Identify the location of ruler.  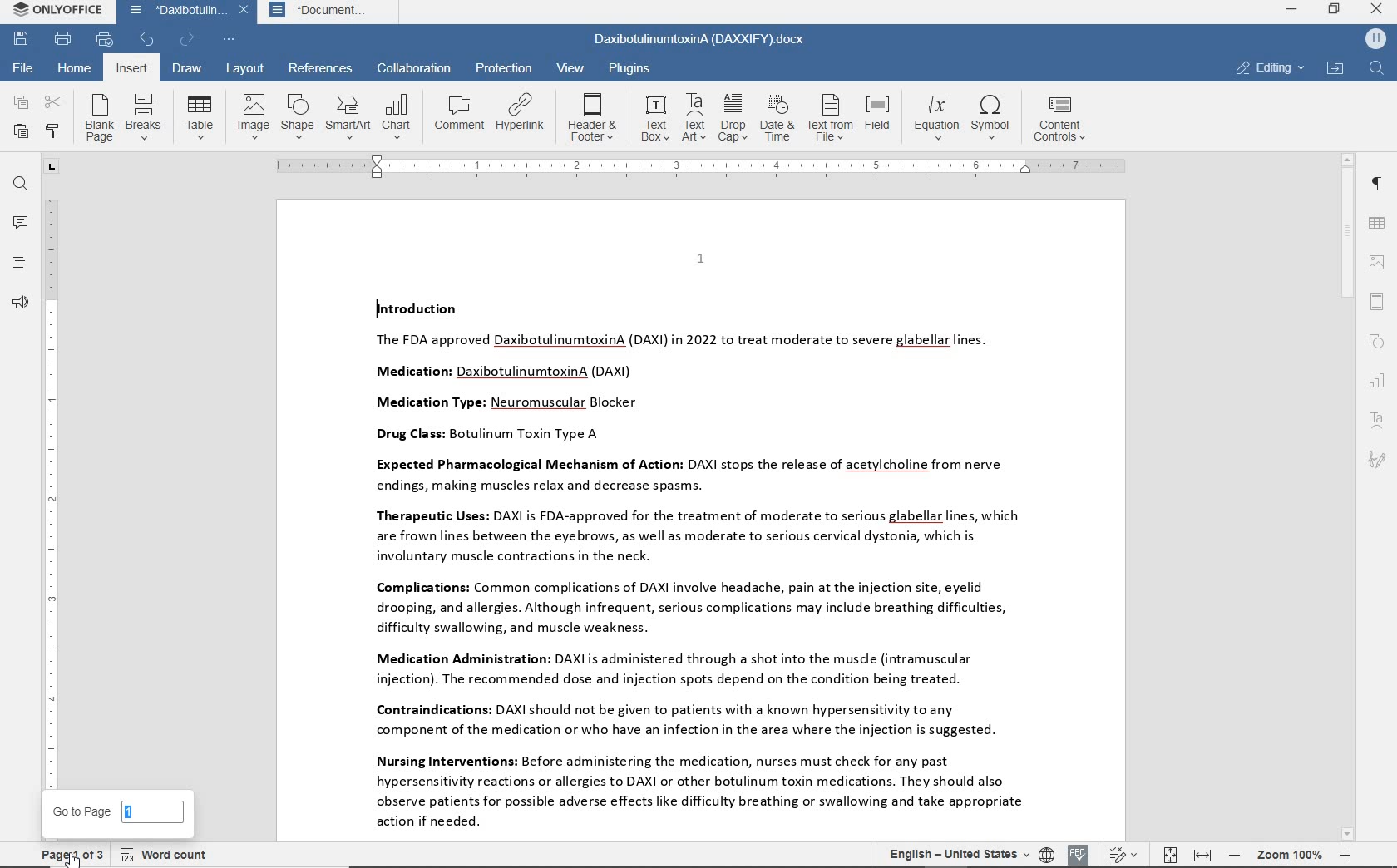
(701, 165).